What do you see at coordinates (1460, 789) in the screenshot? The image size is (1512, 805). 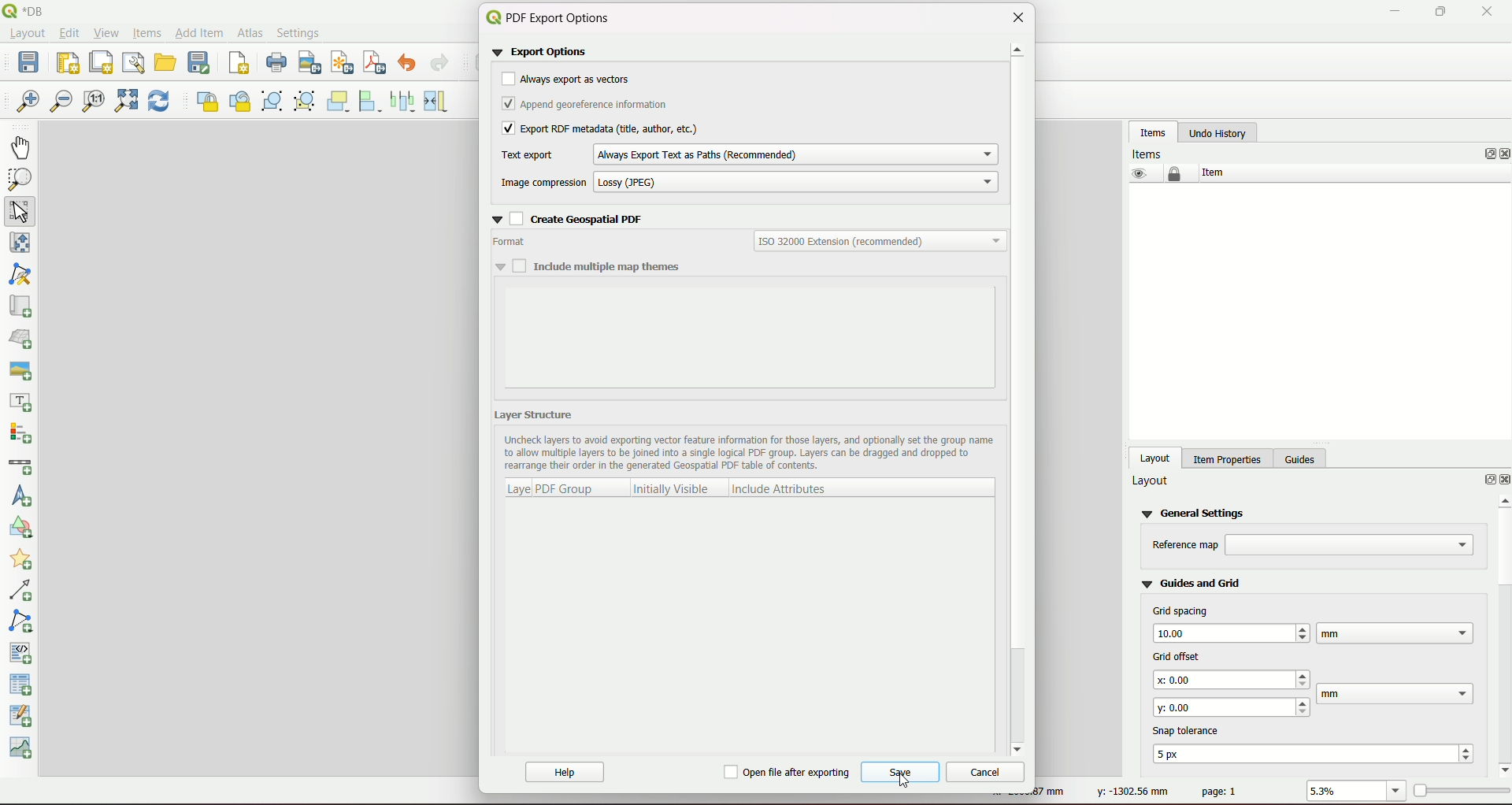 I see `zoom slider` at bounding box center [1460, 789].